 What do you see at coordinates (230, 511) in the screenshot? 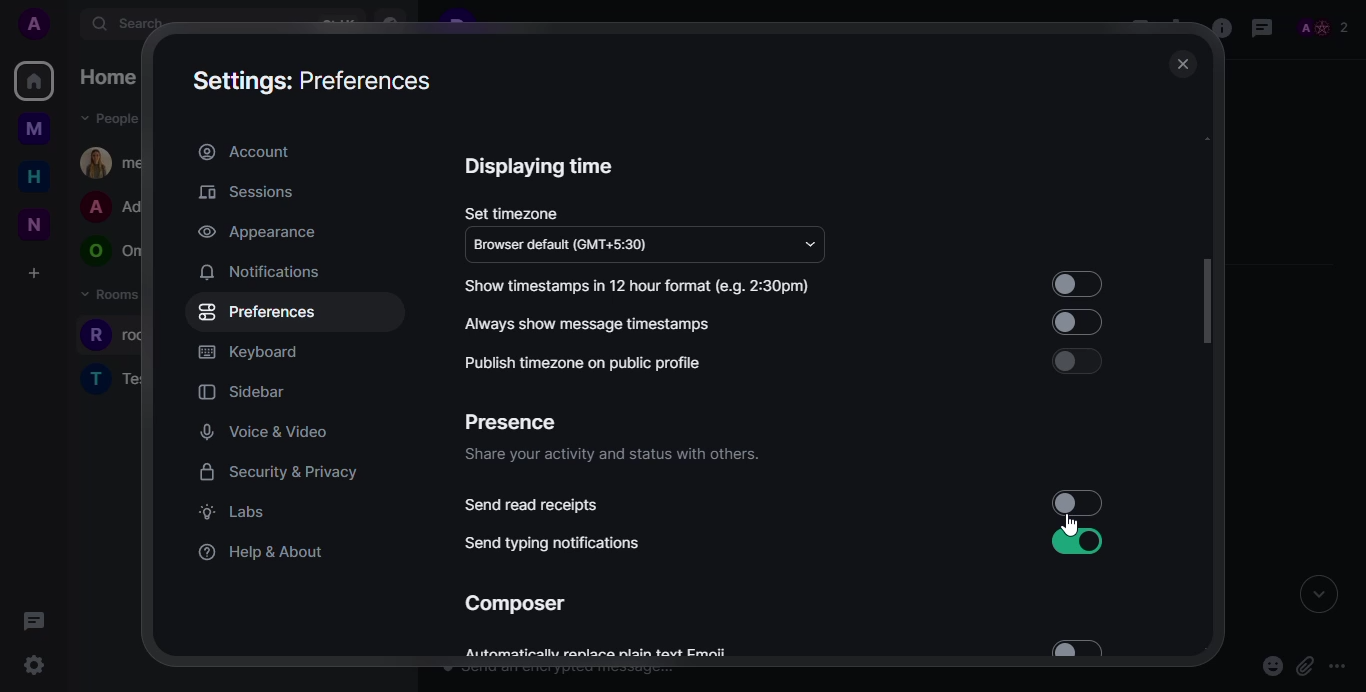
I see `labs` at bounding box center [230, 511].